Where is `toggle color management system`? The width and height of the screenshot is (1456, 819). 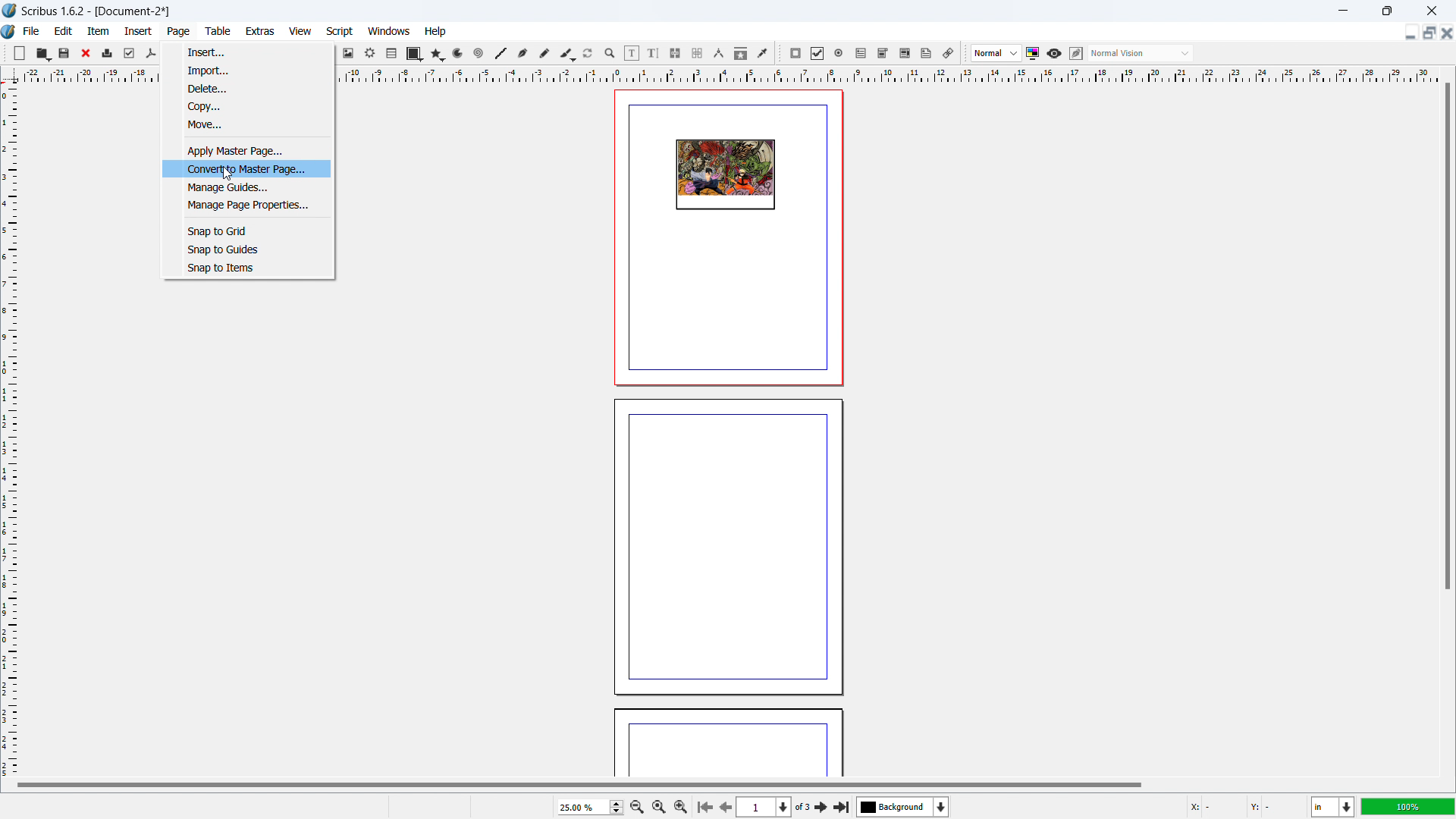 toggle color management system is located at coordinates (1034, 53).